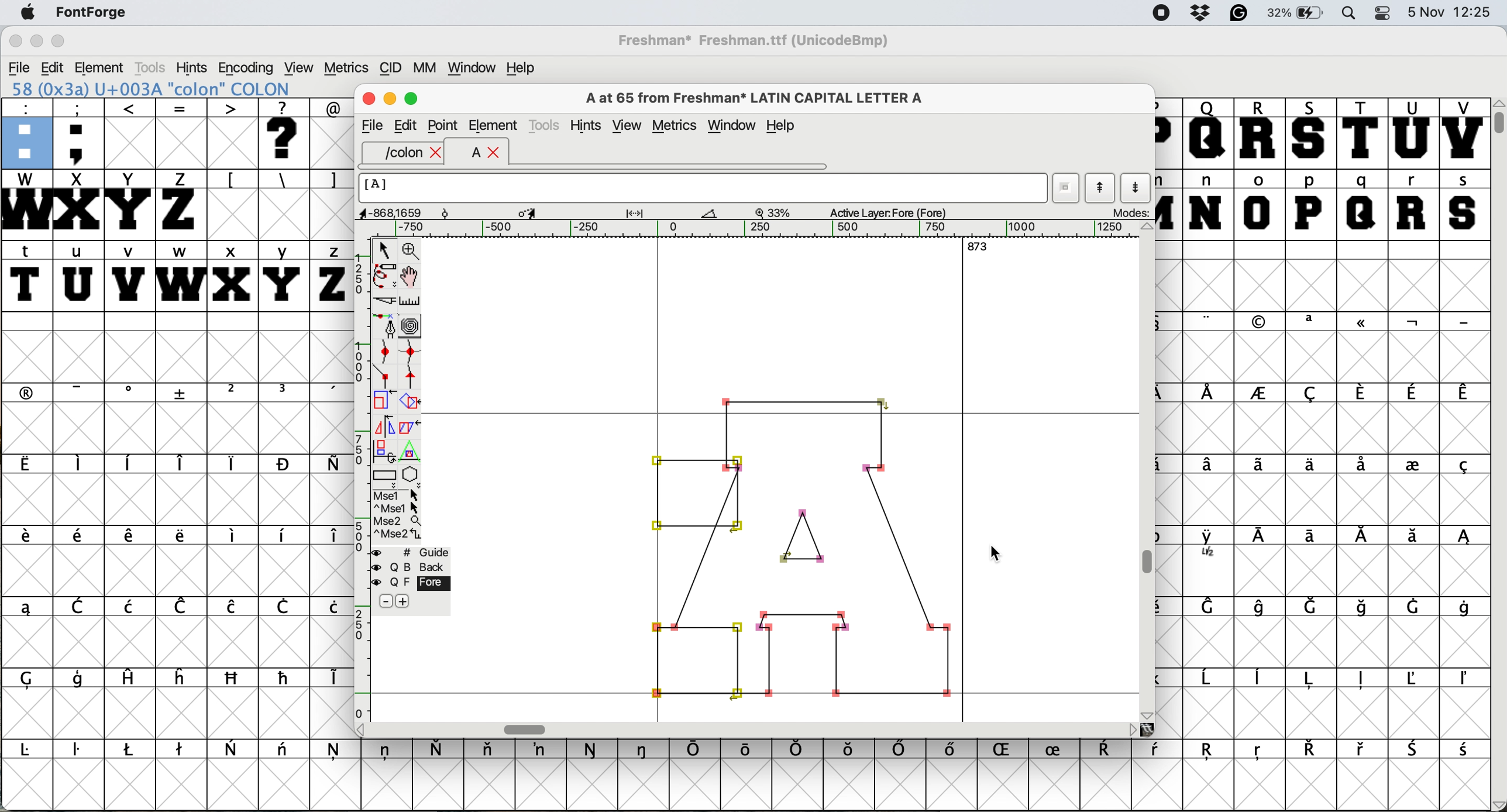 This screenshot has height=812, width=1507. What do you see at coordinates (1464, 394) in the screenshot?
I see `symbol` at bounding box center [1464, 394].